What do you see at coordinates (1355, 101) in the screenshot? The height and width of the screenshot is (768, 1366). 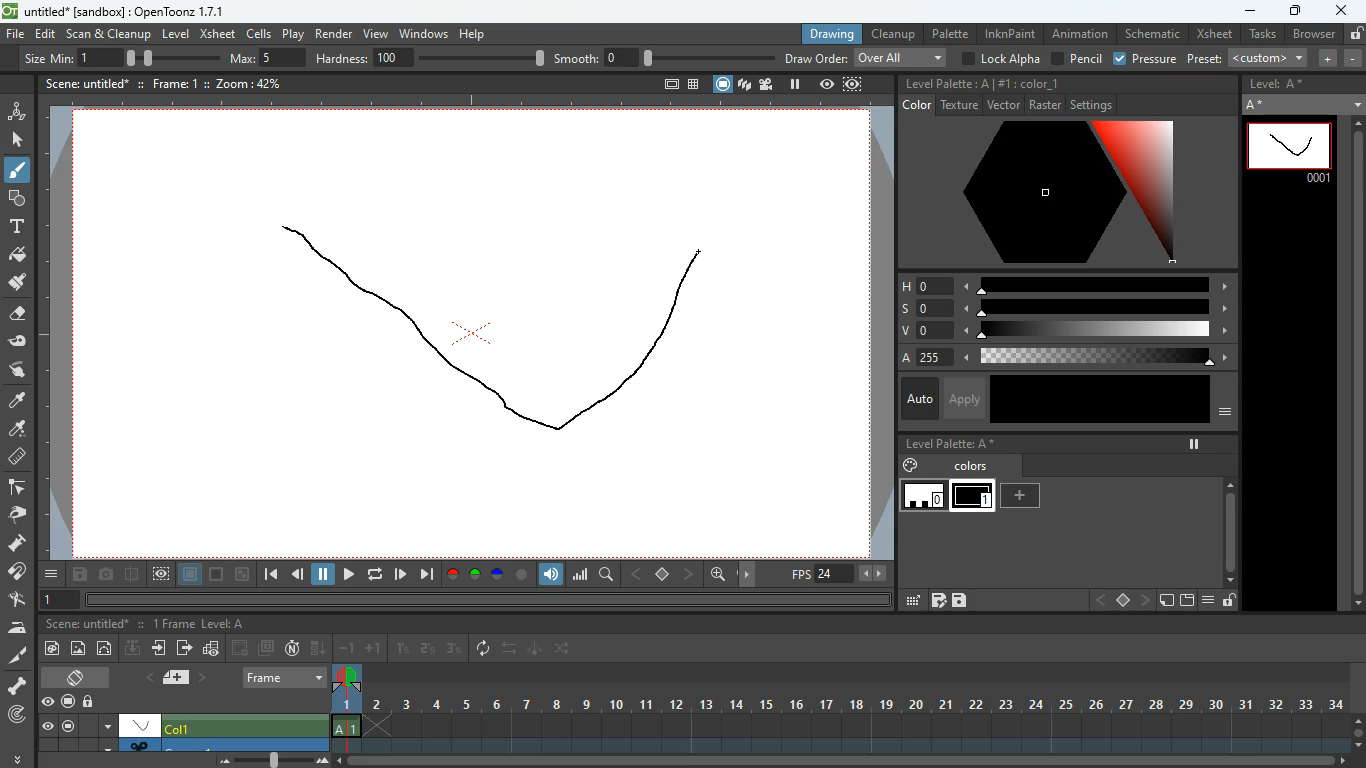 I see `expand` at bounding box center [1355, 101].